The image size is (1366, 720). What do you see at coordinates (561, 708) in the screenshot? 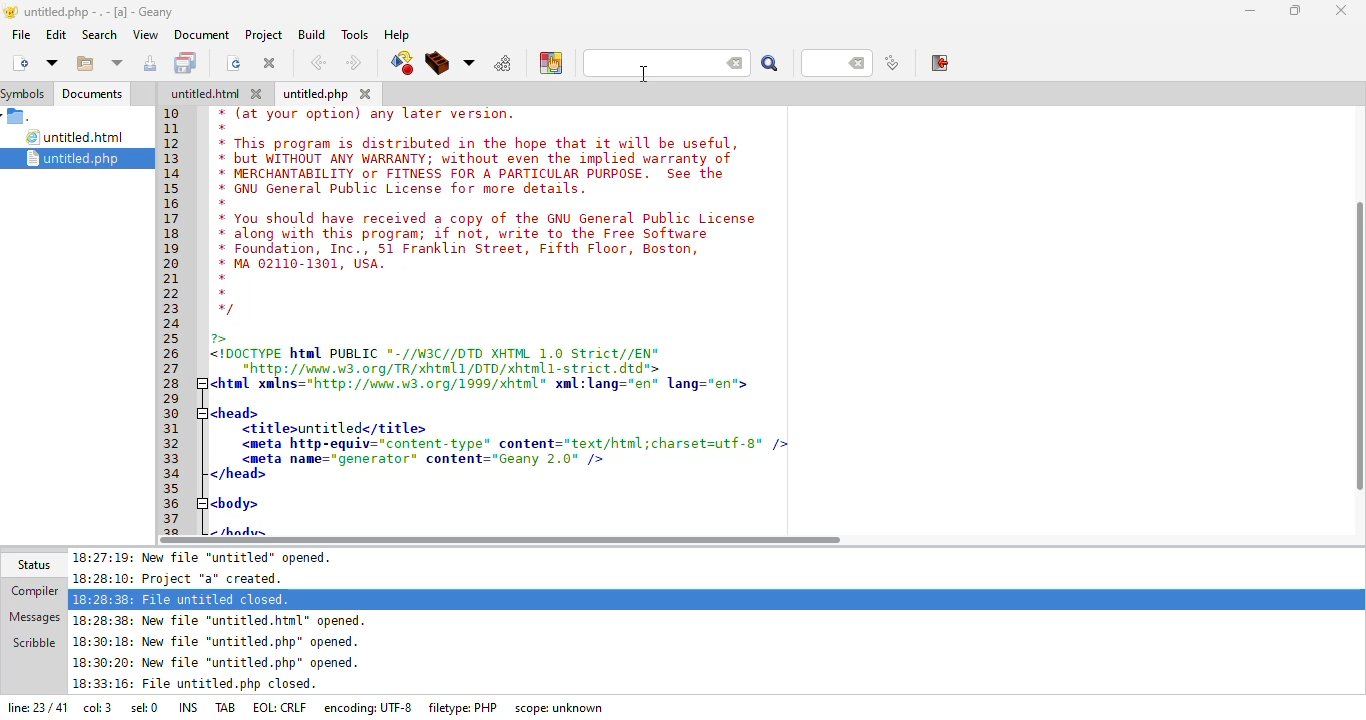
I see `scope: unknown` at bounding box center [561, 708].